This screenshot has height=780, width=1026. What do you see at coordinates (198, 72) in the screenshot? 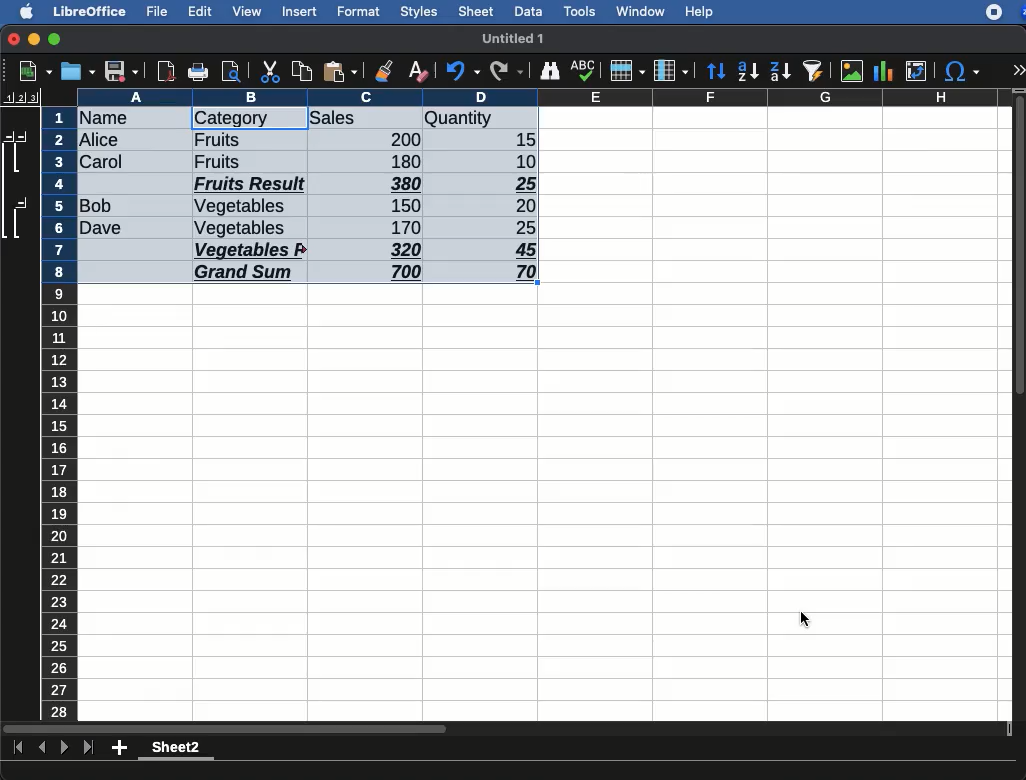
I see `print` at bounding box center [198, 72].